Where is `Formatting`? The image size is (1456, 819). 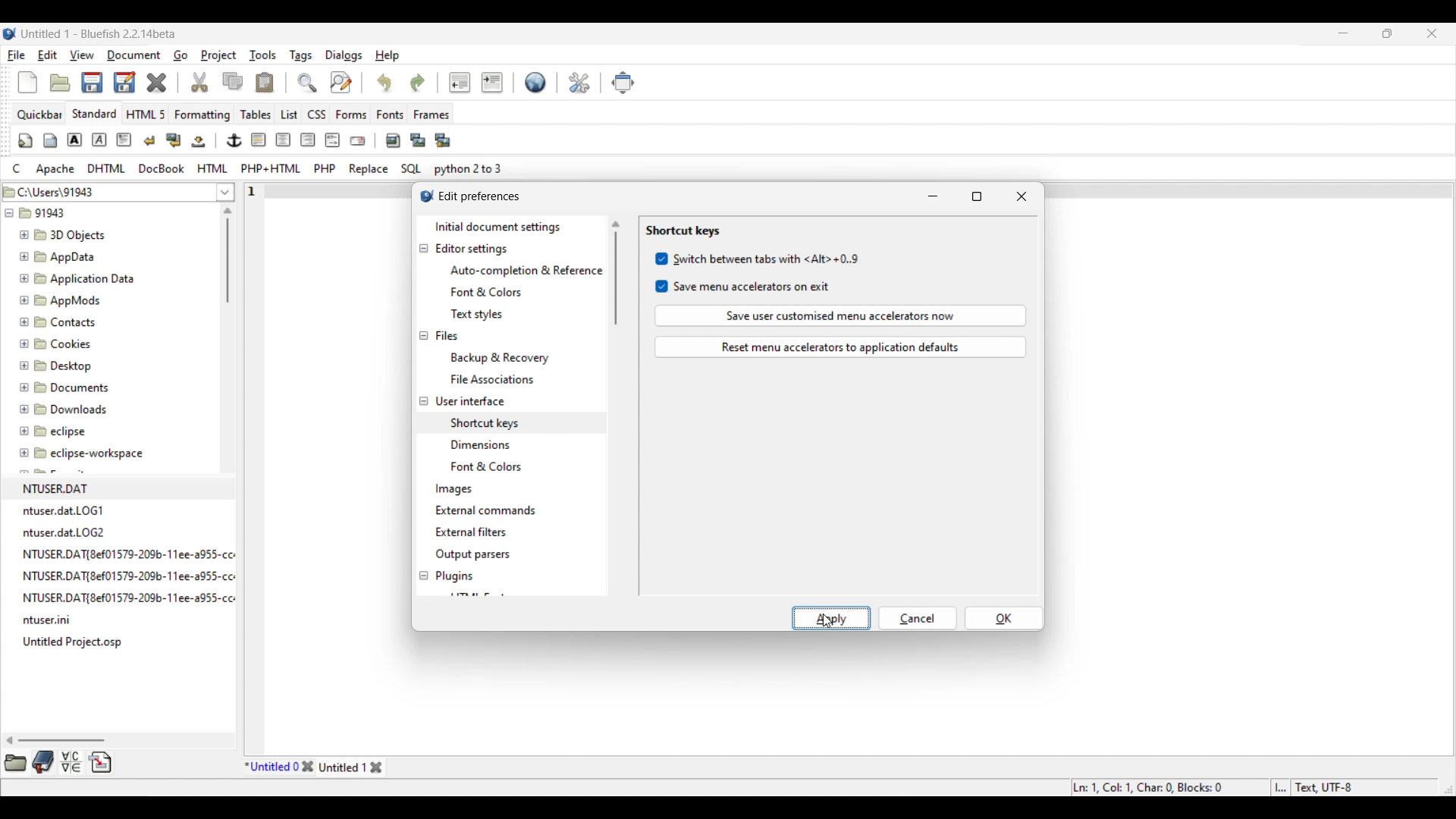
Formatting is located at coordinates (202, 115).